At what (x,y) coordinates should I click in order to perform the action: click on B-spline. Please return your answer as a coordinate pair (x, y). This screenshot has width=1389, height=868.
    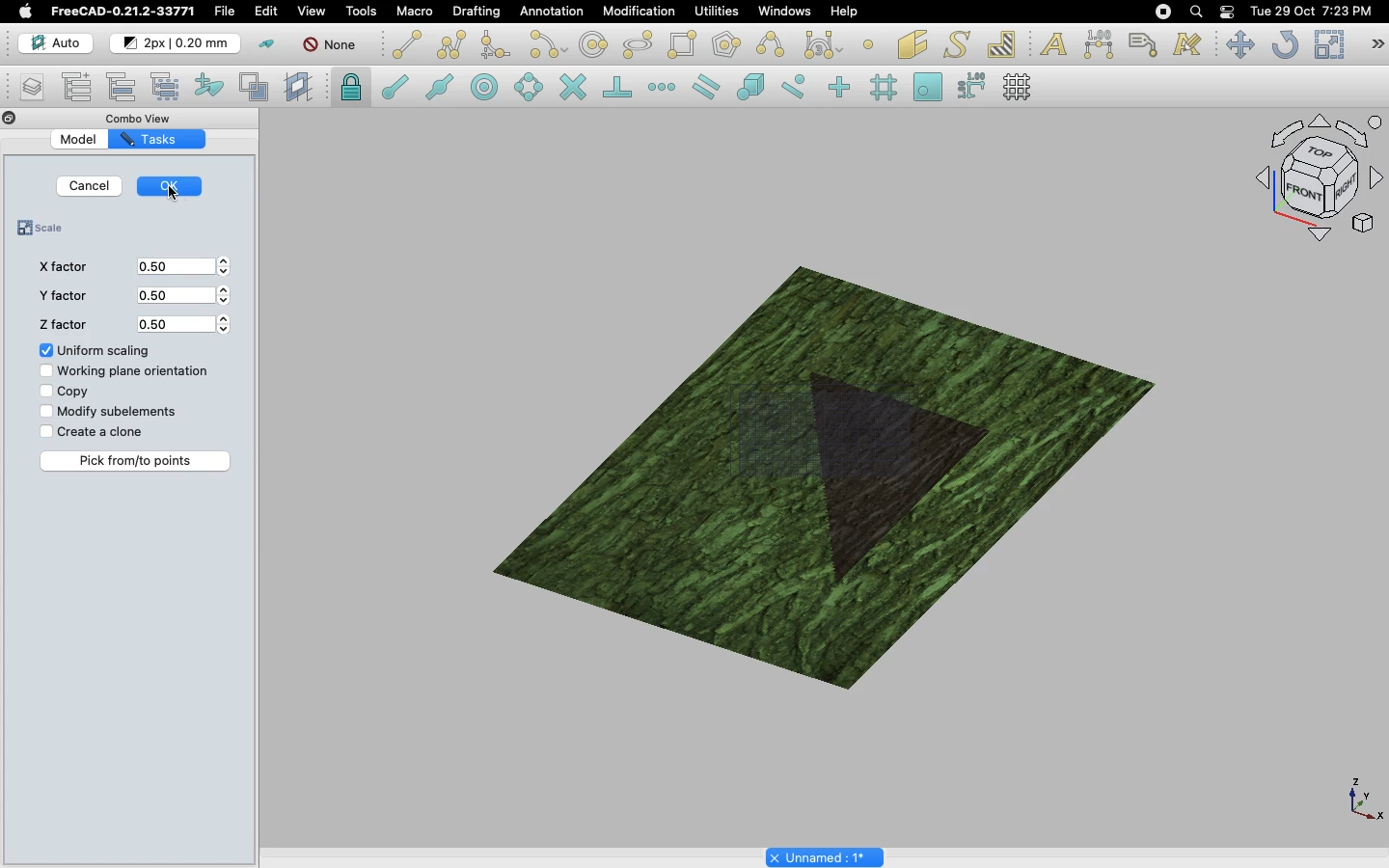
    Looking at the image, I should click on (770, 44).